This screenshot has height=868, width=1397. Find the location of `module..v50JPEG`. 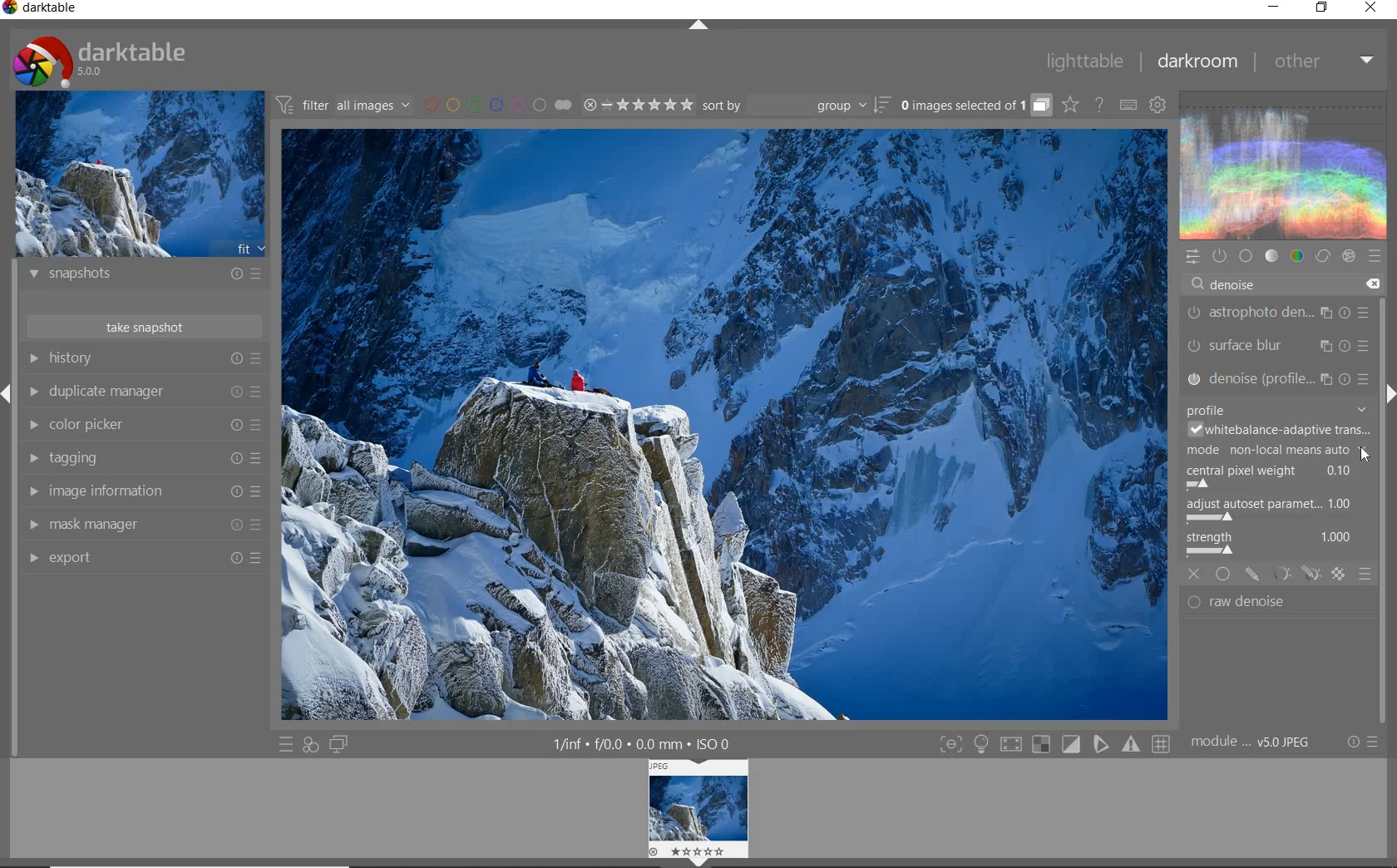

module..v50JPEG is located at coordinates (1255, 742).